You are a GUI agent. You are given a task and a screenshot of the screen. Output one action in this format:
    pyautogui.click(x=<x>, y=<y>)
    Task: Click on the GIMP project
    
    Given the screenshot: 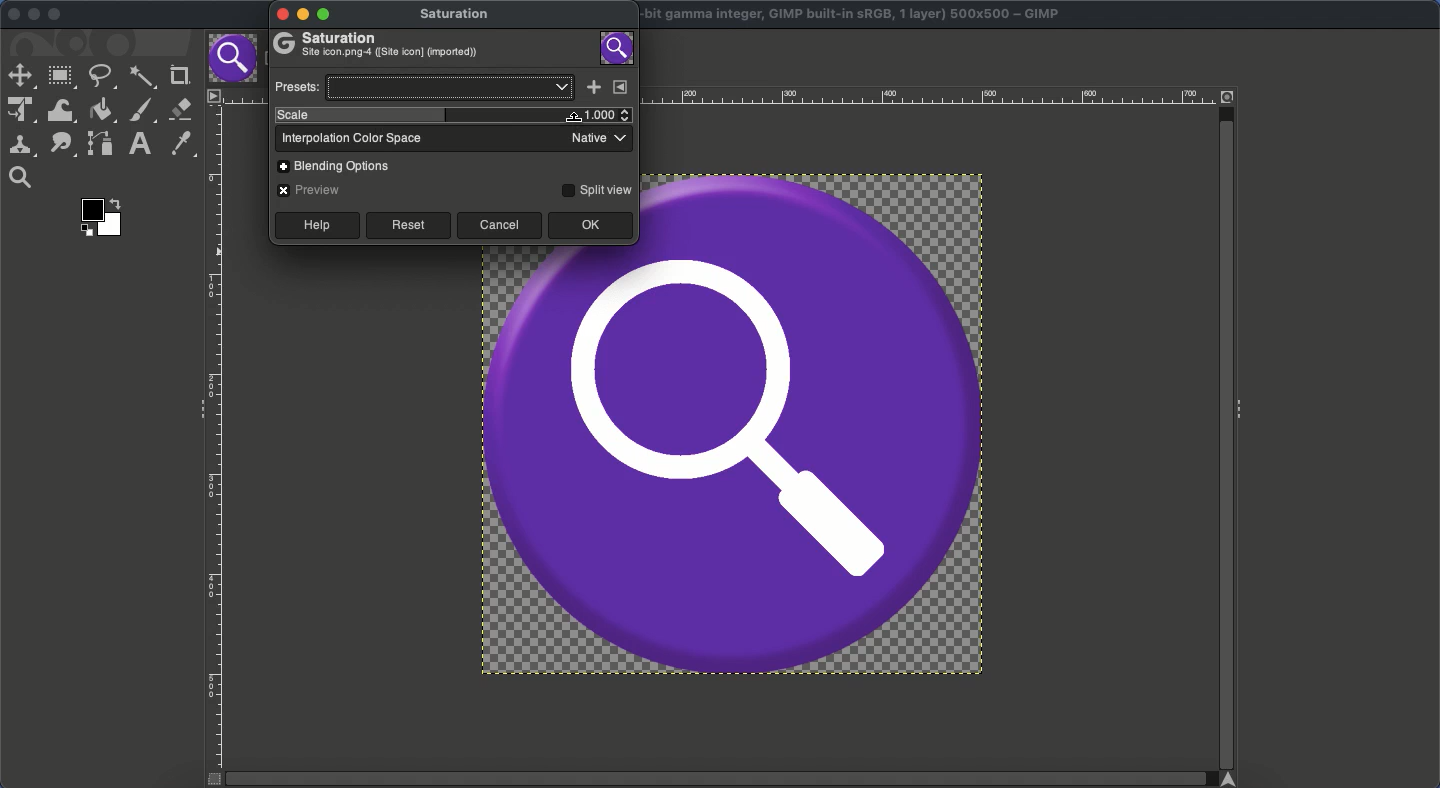 What is the action you would take?
    pyautogui.click(x=854, y=12)
    